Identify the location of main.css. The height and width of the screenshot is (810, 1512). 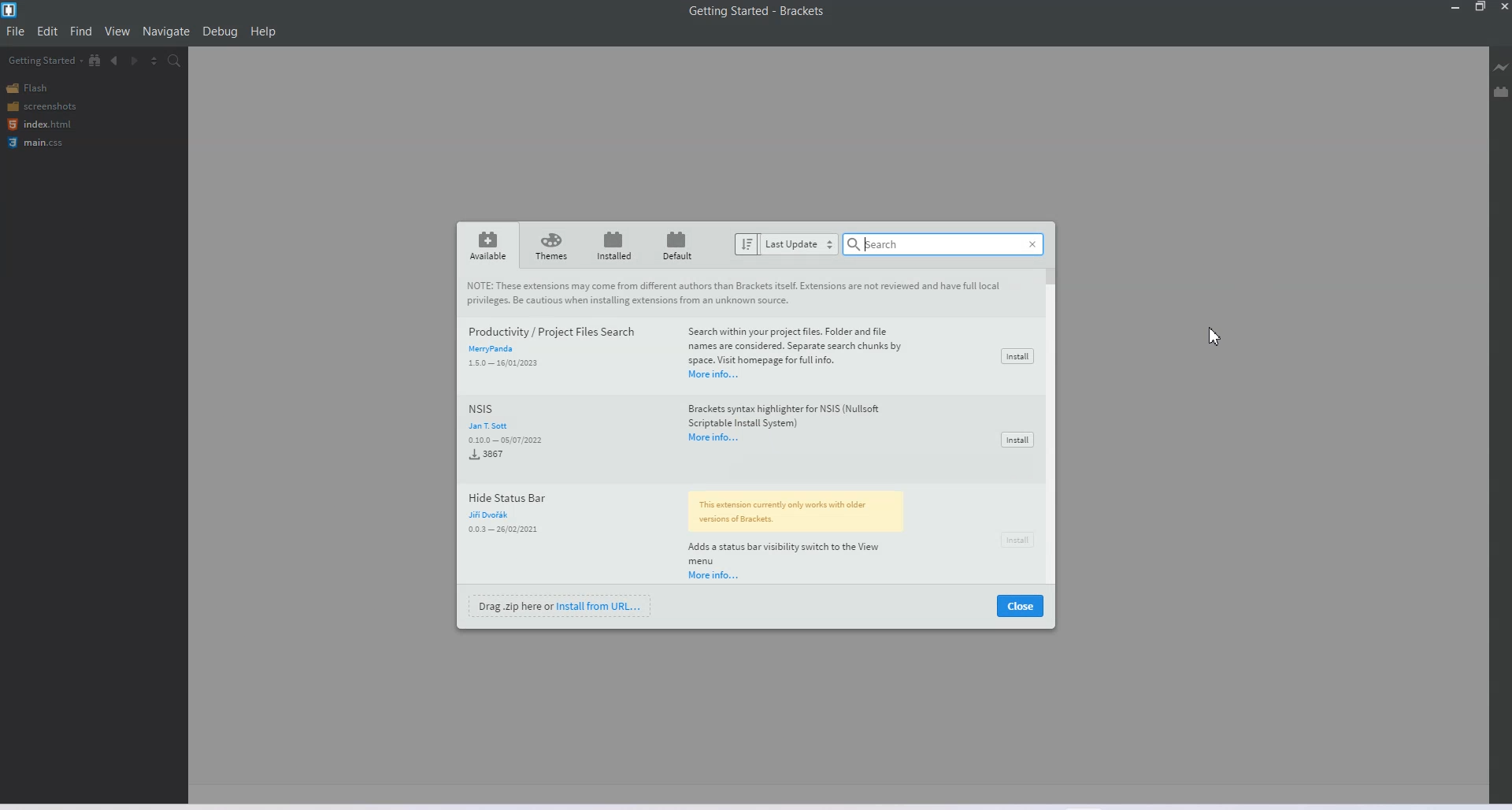
(39, 143).